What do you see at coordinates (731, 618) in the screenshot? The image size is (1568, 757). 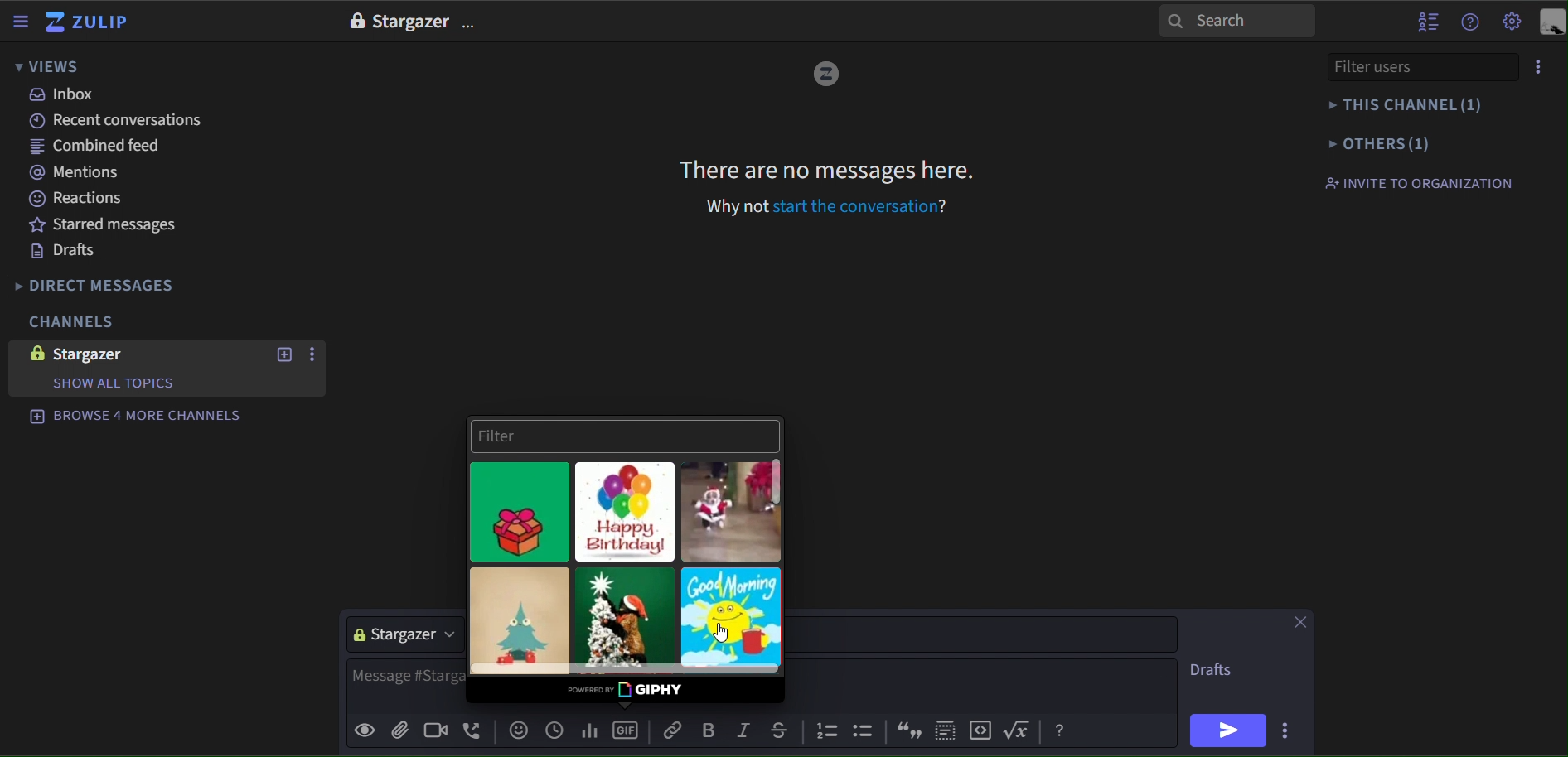 I see `image` at bounding box center [731, 618].